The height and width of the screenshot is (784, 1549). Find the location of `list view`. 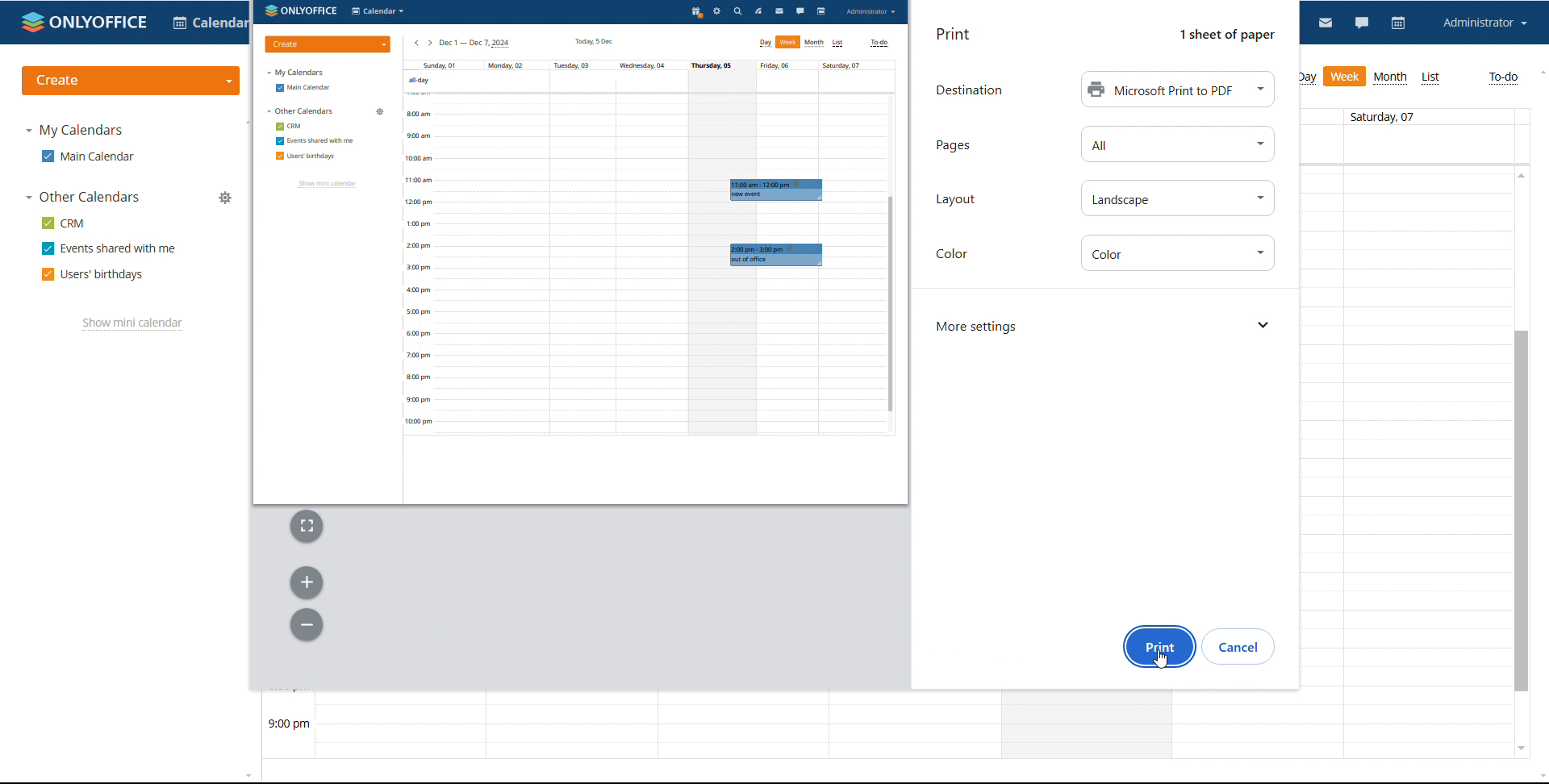

list view is located at coordinates (1431, 78).